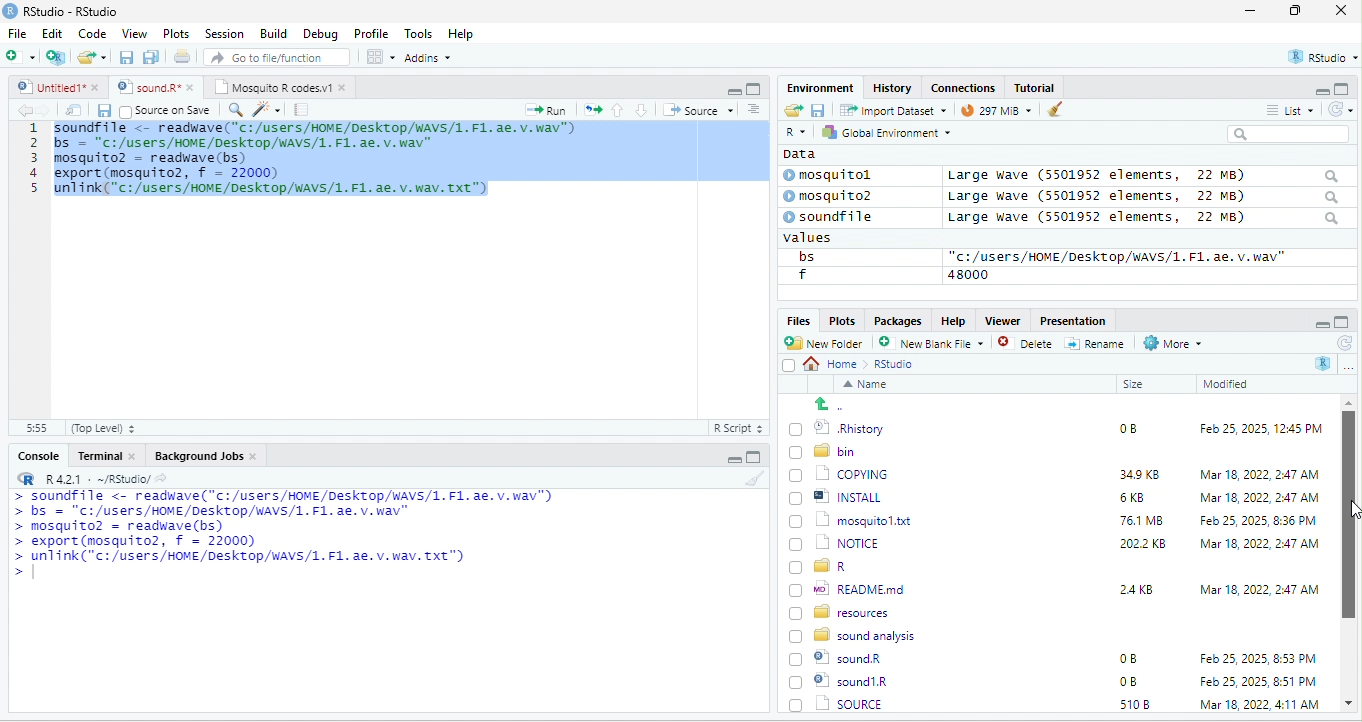 This screenshot has width=1362, height=722. Describe the element at coordinates (320, 33) in the screenshot. I see `Debug` at that location.